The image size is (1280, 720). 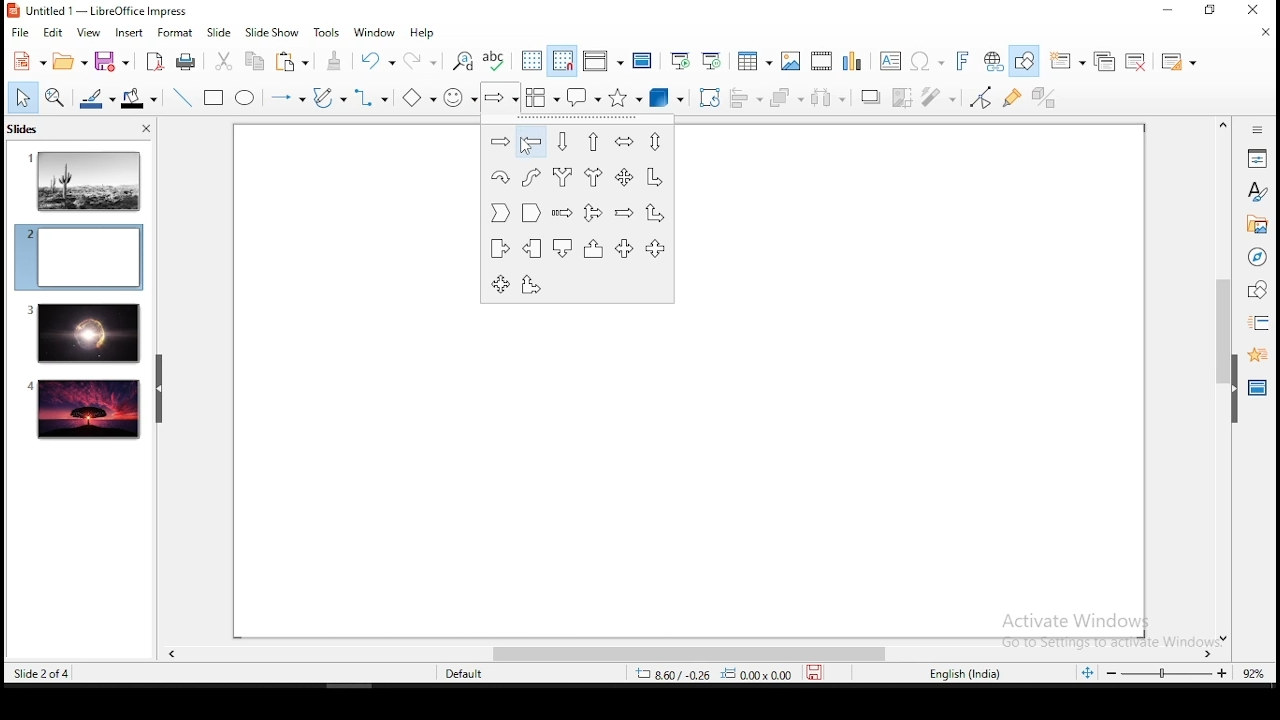 What do you see at coordinates (1257, 11) in the screenshot?
I see `close window` at bounding box center [1257, 11].